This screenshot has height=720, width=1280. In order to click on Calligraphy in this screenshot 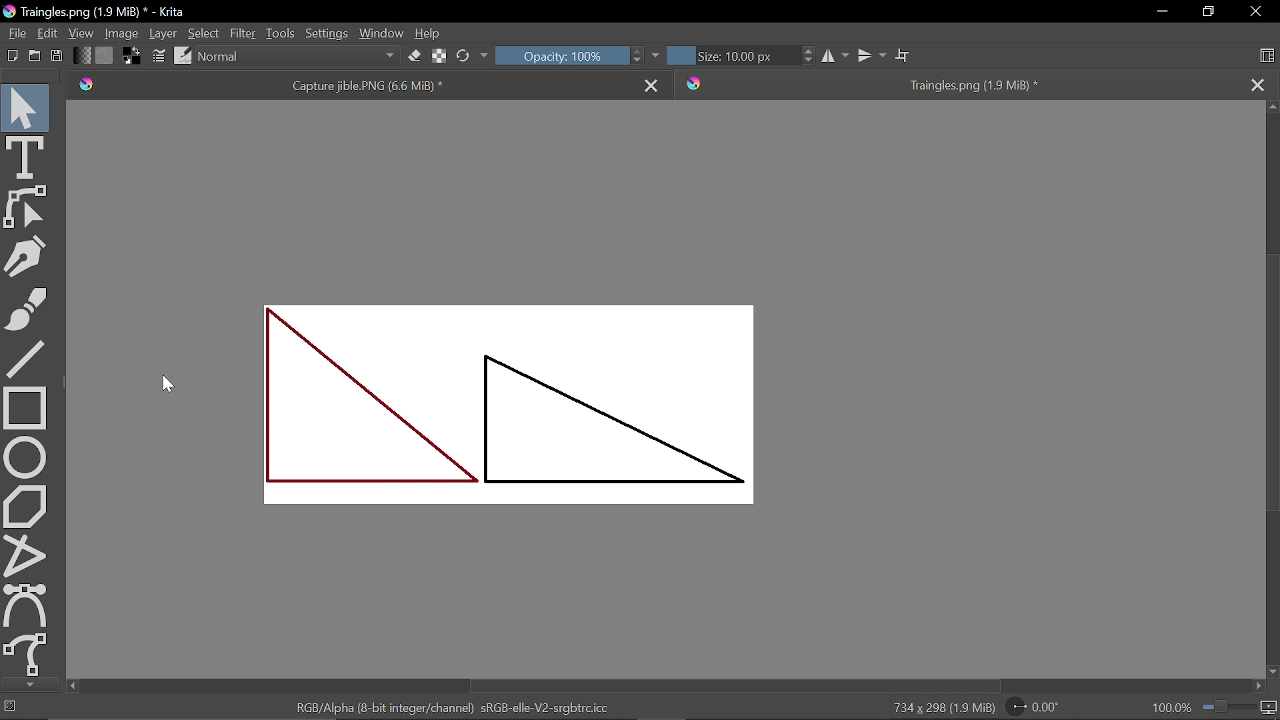, I will do `click(25, 256)`.